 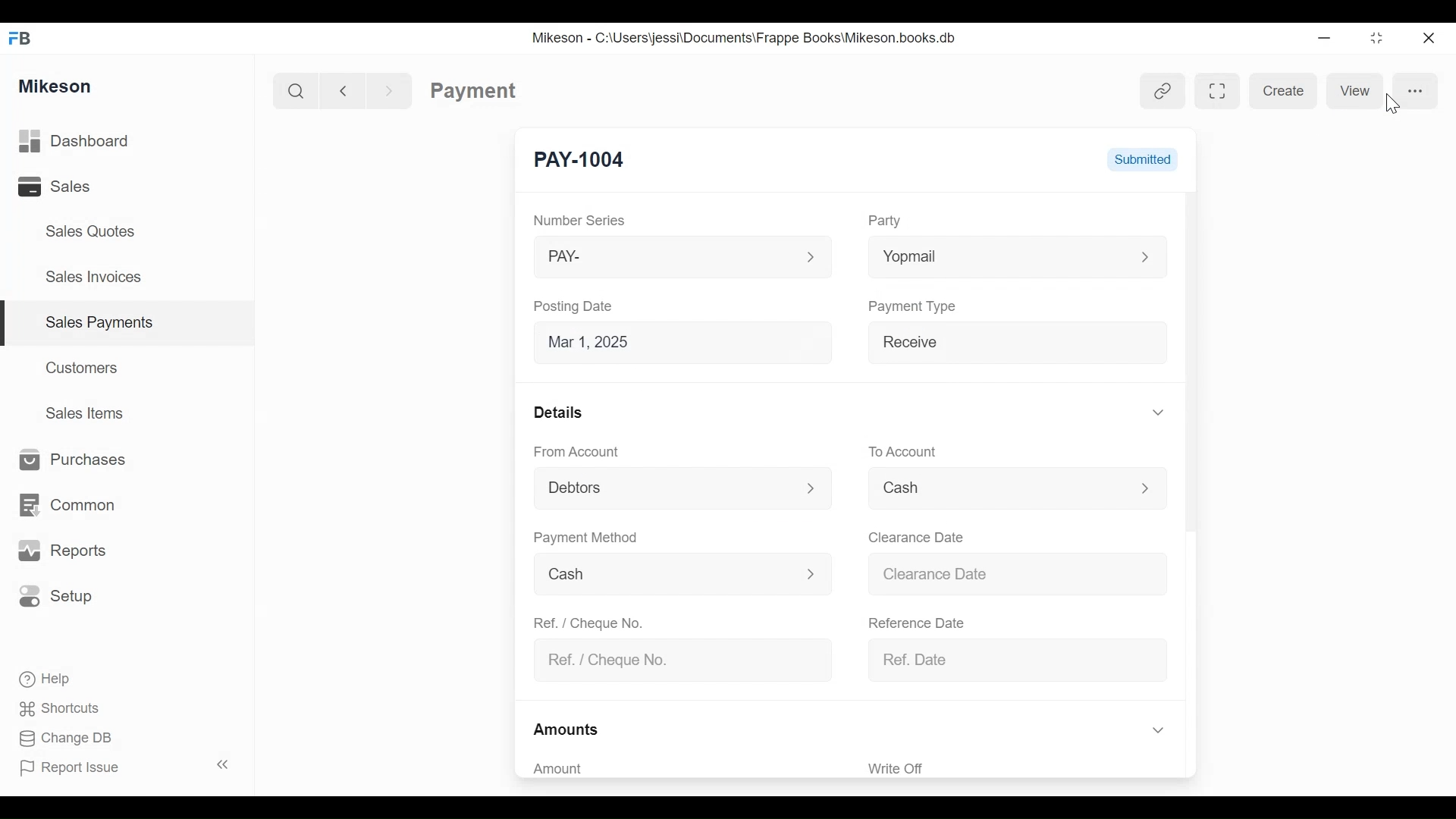 I want to click on Sales Invoices, so click(x=88, y=278).